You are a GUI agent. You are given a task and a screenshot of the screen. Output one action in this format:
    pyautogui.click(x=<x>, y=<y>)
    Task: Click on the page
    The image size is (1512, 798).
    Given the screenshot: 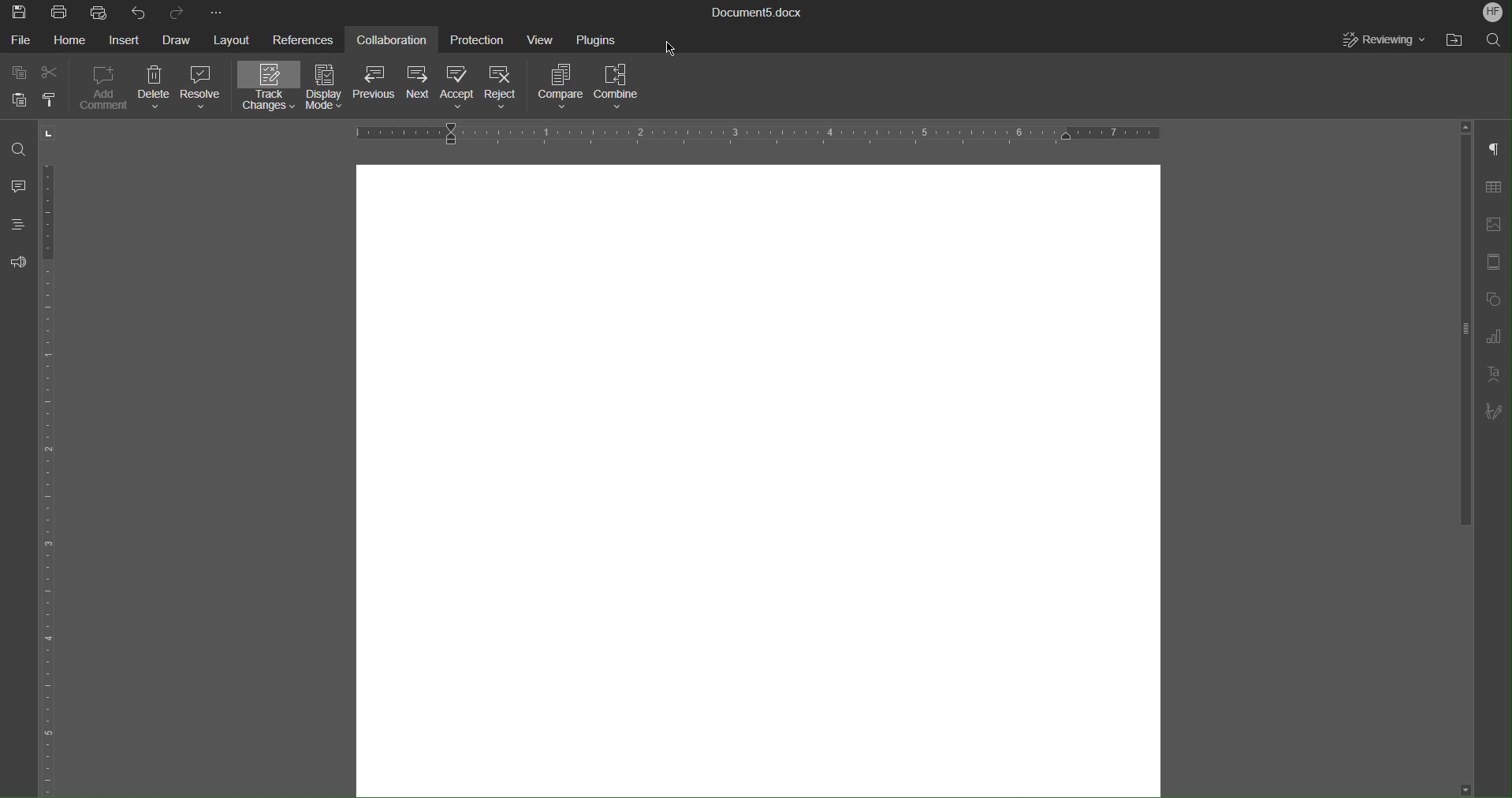 What is the action you would take?
    pyautogui.click(x=757, y=475)
    